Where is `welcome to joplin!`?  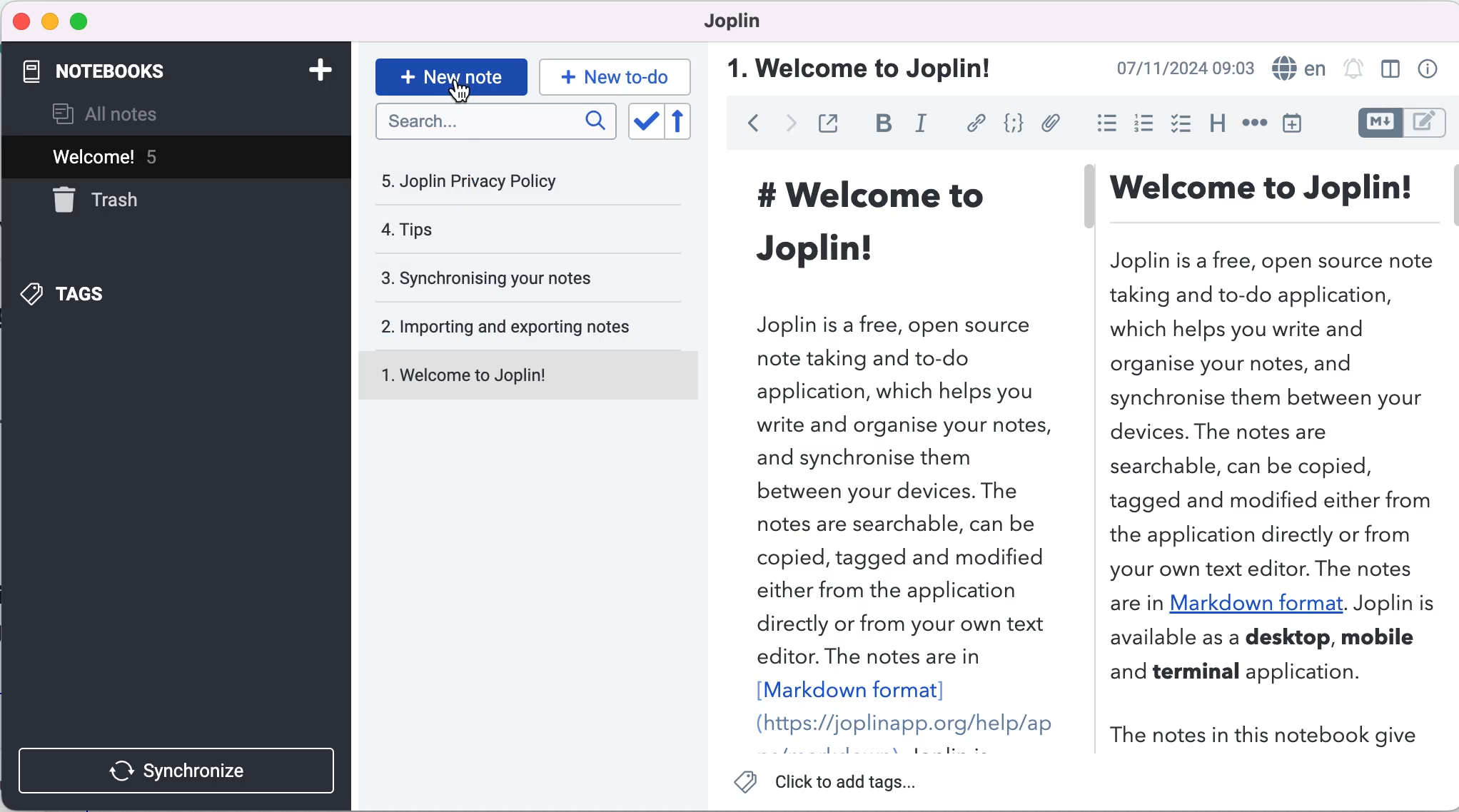
welcome to joplin! is located at coordinates (519, 374).